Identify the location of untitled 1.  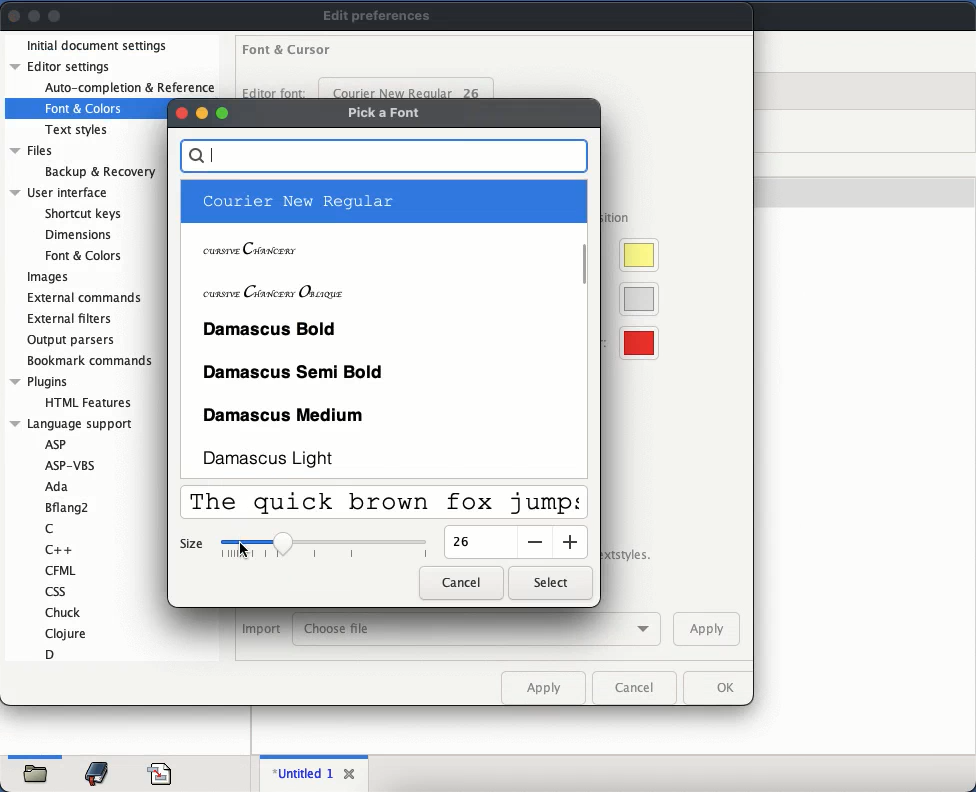
(305, 773).